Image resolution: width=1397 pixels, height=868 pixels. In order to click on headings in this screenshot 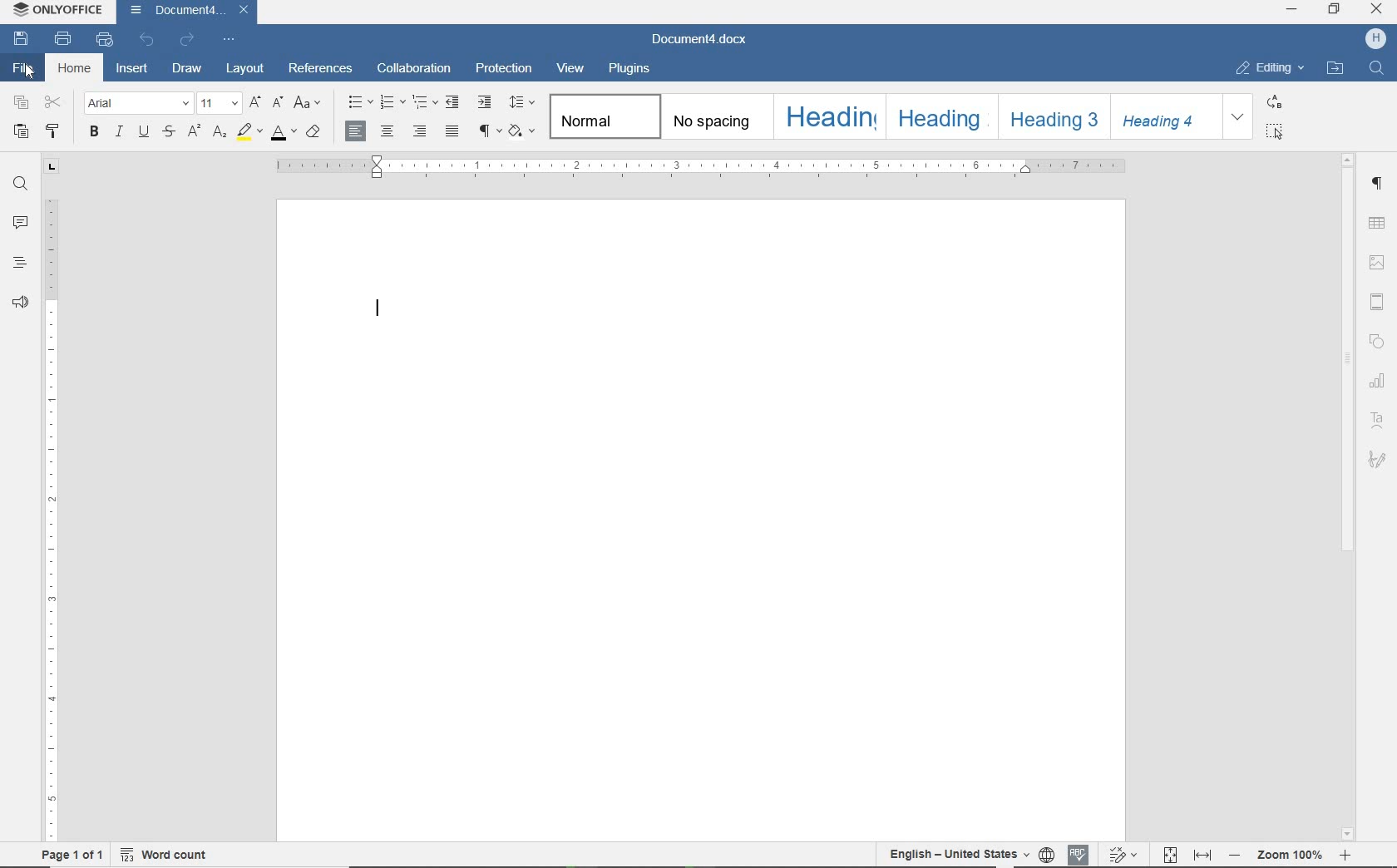, I will do `click(17, 264)`.